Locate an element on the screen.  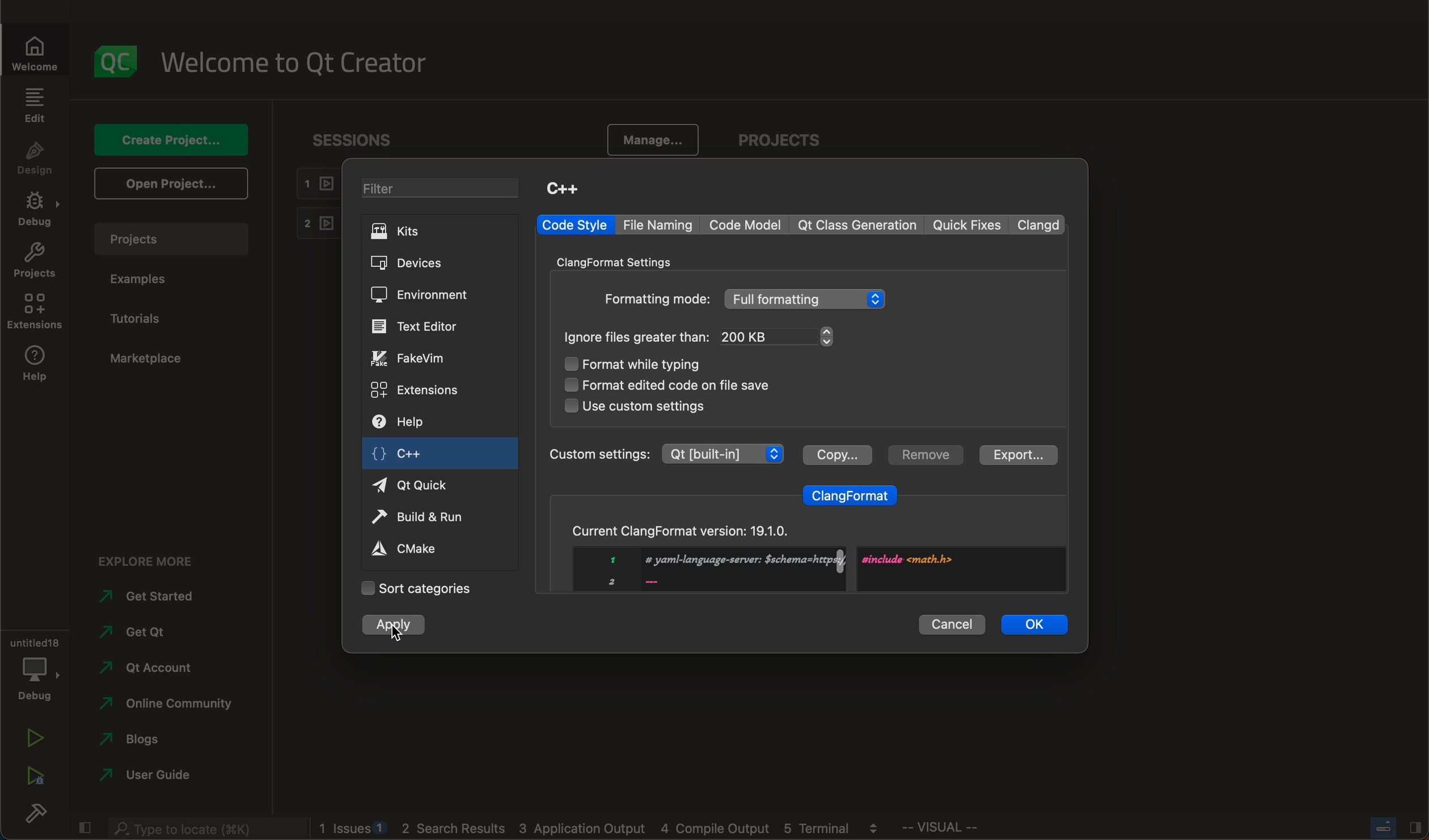
C++ is located at coordinates (562, 188).